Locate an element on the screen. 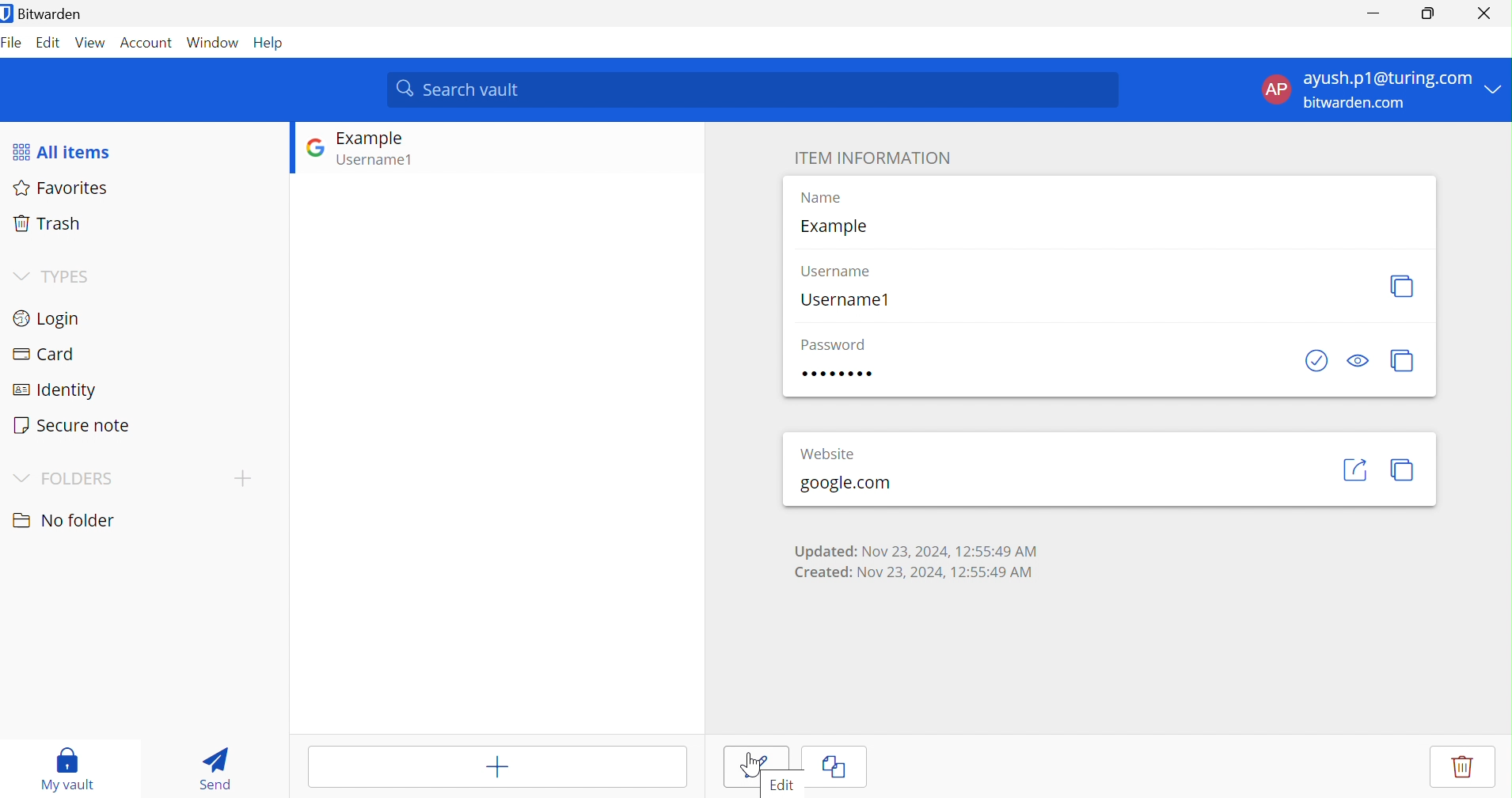  Example is located at coordinates (833, 226).